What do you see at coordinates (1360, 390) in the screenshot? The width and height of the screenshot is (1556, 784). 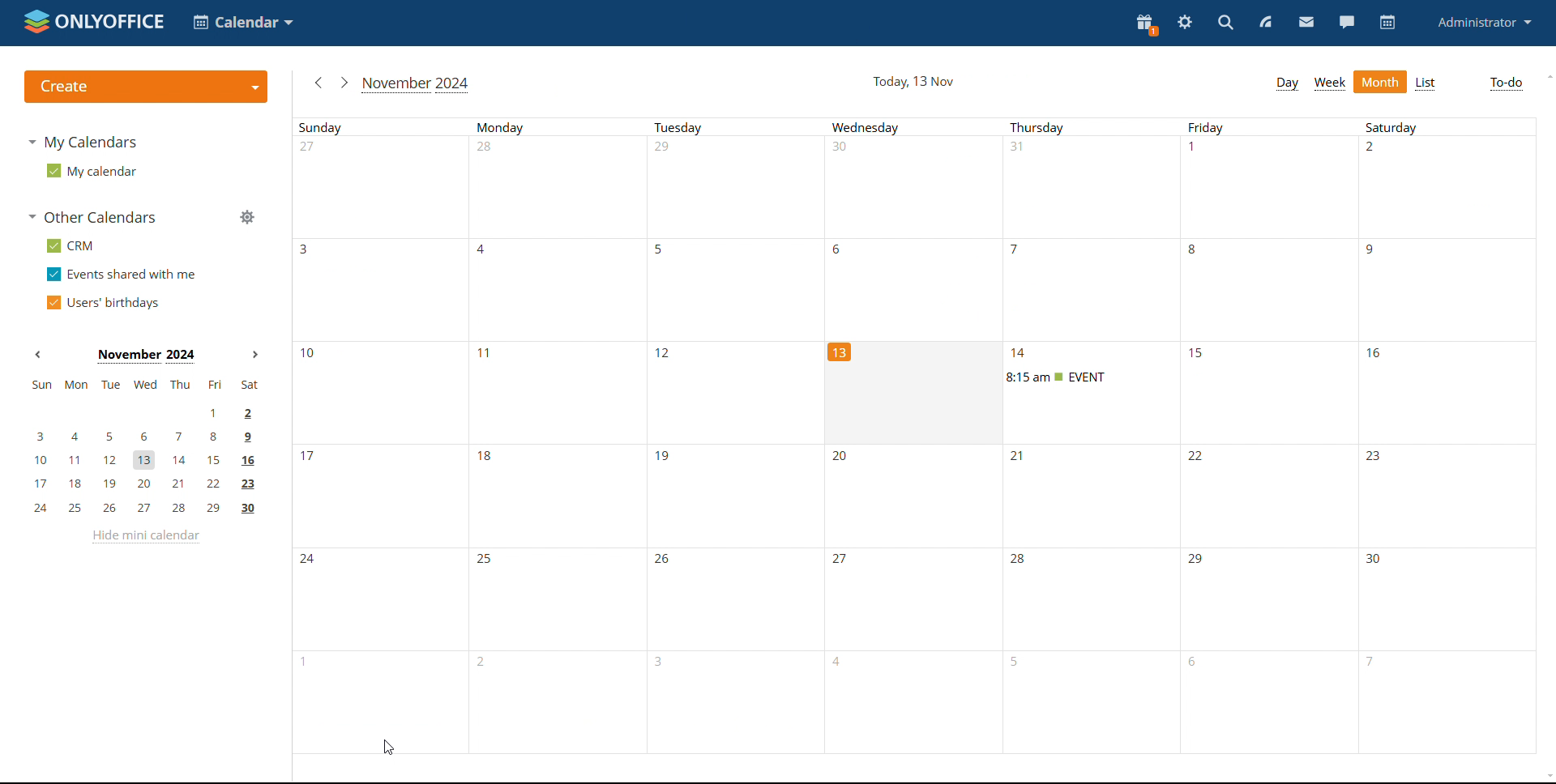 I see `unallocated time slots` at bounding box center [1360, 390].